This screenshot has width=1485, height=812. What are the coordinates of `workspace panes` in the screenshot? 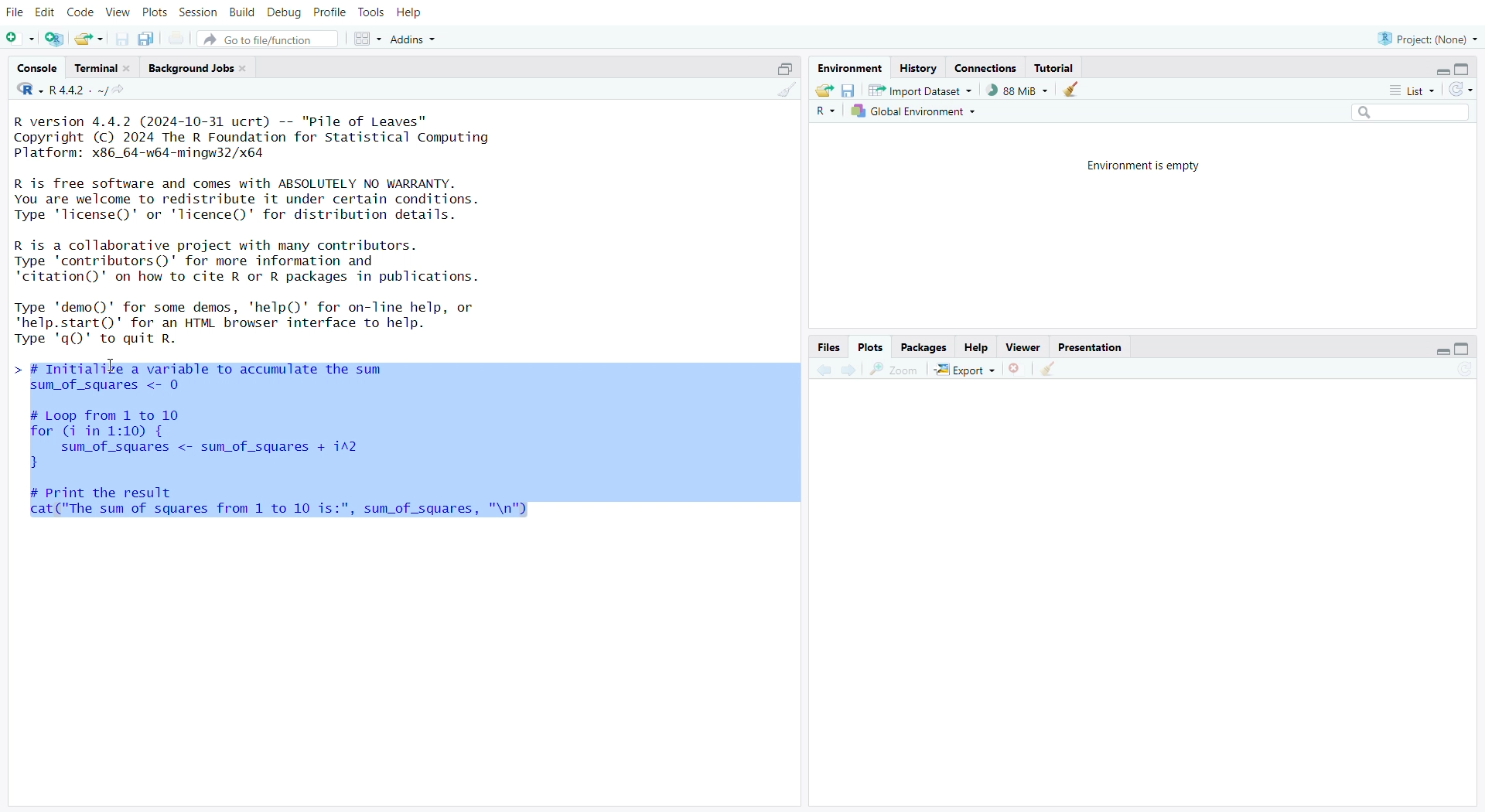 It's located at (367, 39).